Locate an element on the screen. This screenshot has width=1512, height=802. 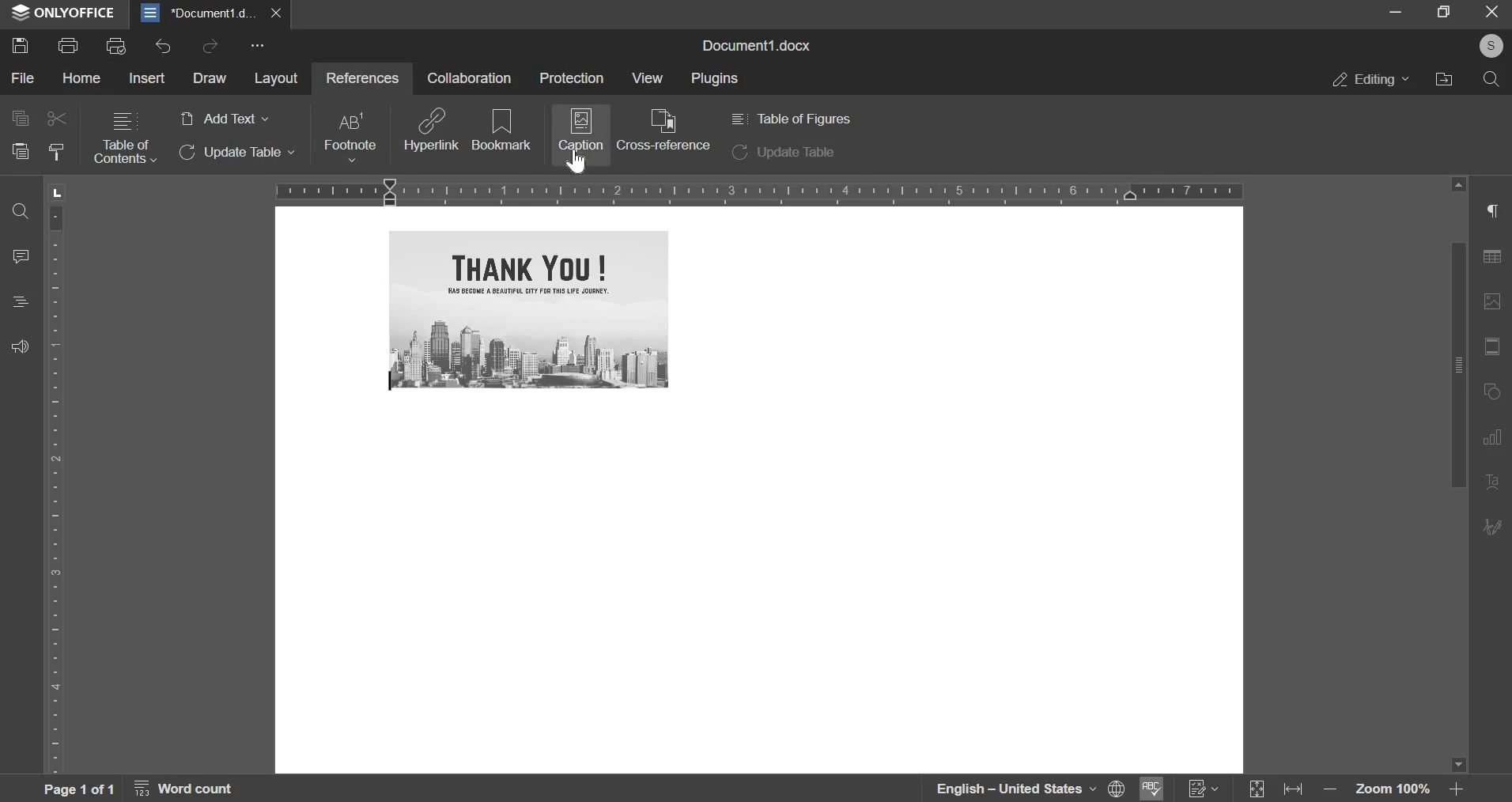
image is located at coordinates (1495, 301).